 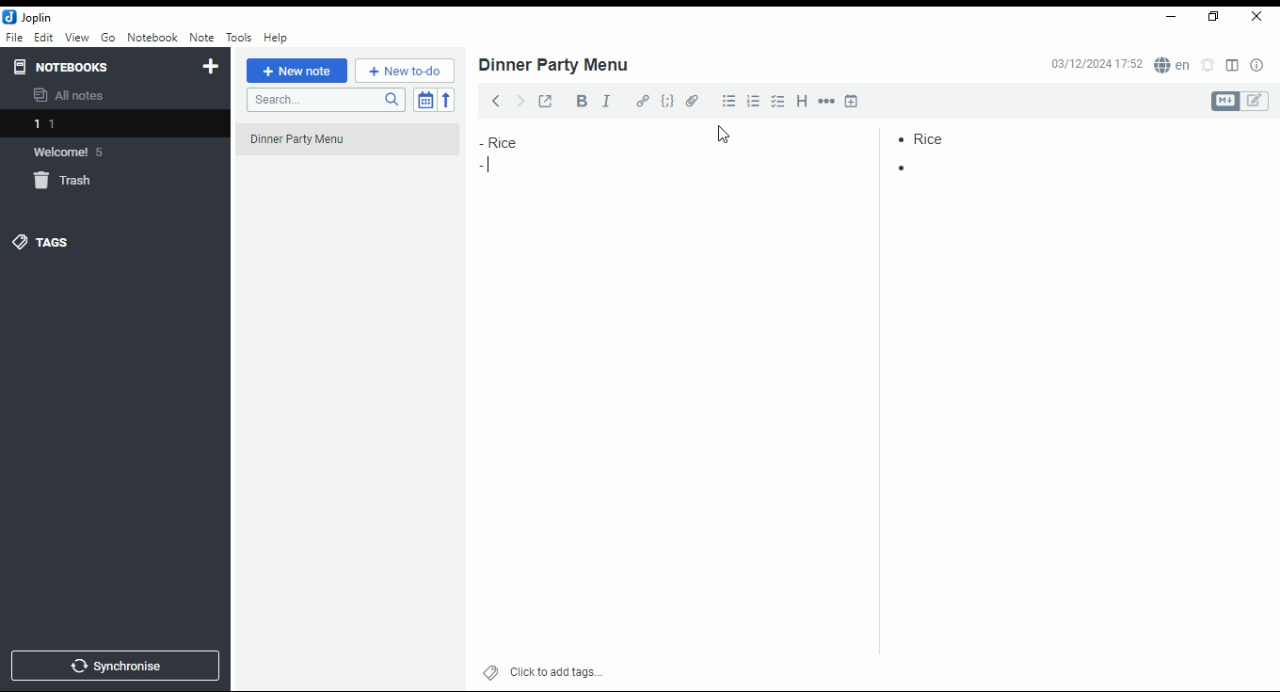 I want to click on insert time, so click(x=851, y=100).